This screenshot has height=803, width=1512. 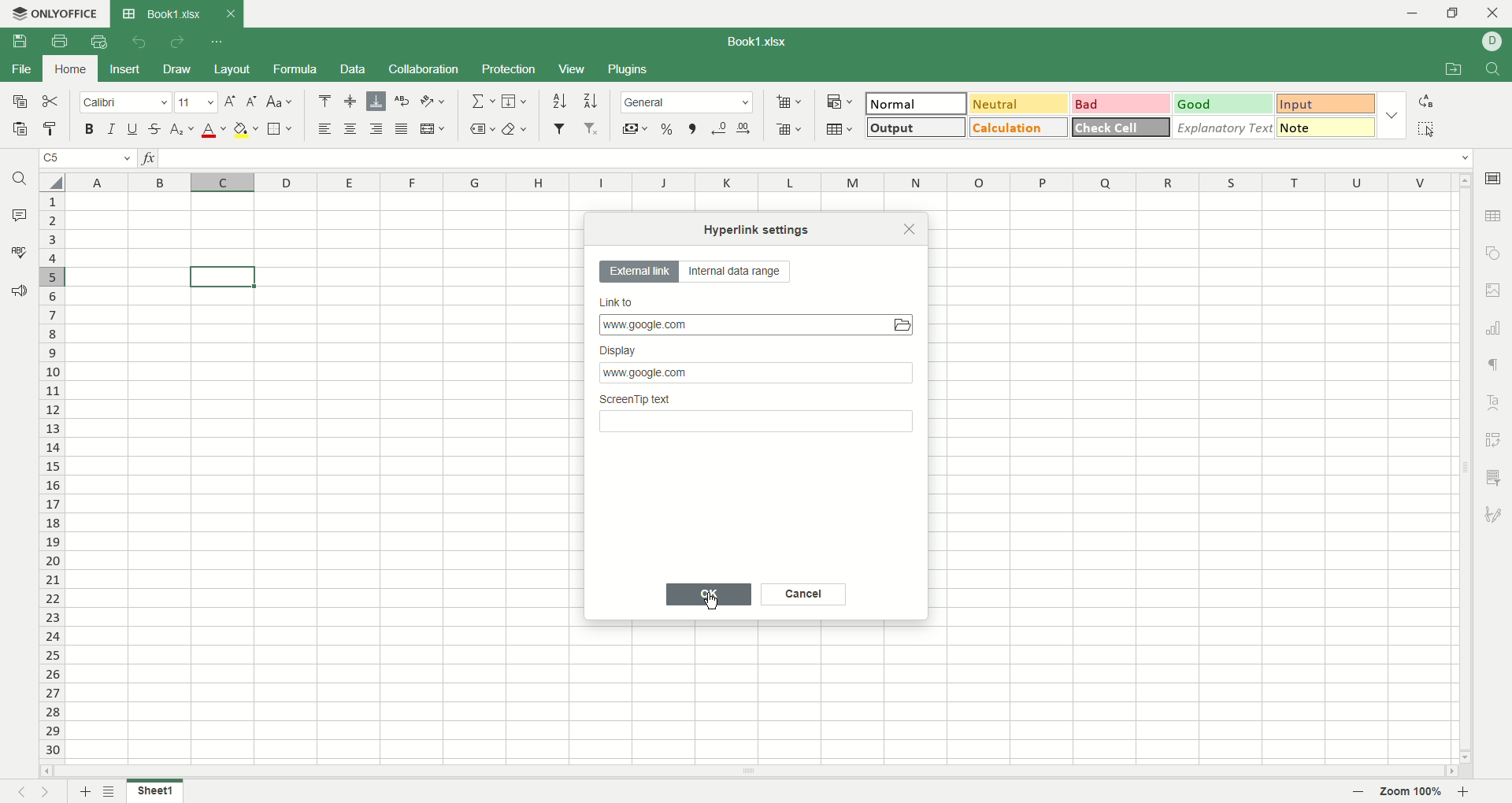 What do you see at coordinates (759, 183) in the screenshot?
I see `column` at bounding box center [759, 183].